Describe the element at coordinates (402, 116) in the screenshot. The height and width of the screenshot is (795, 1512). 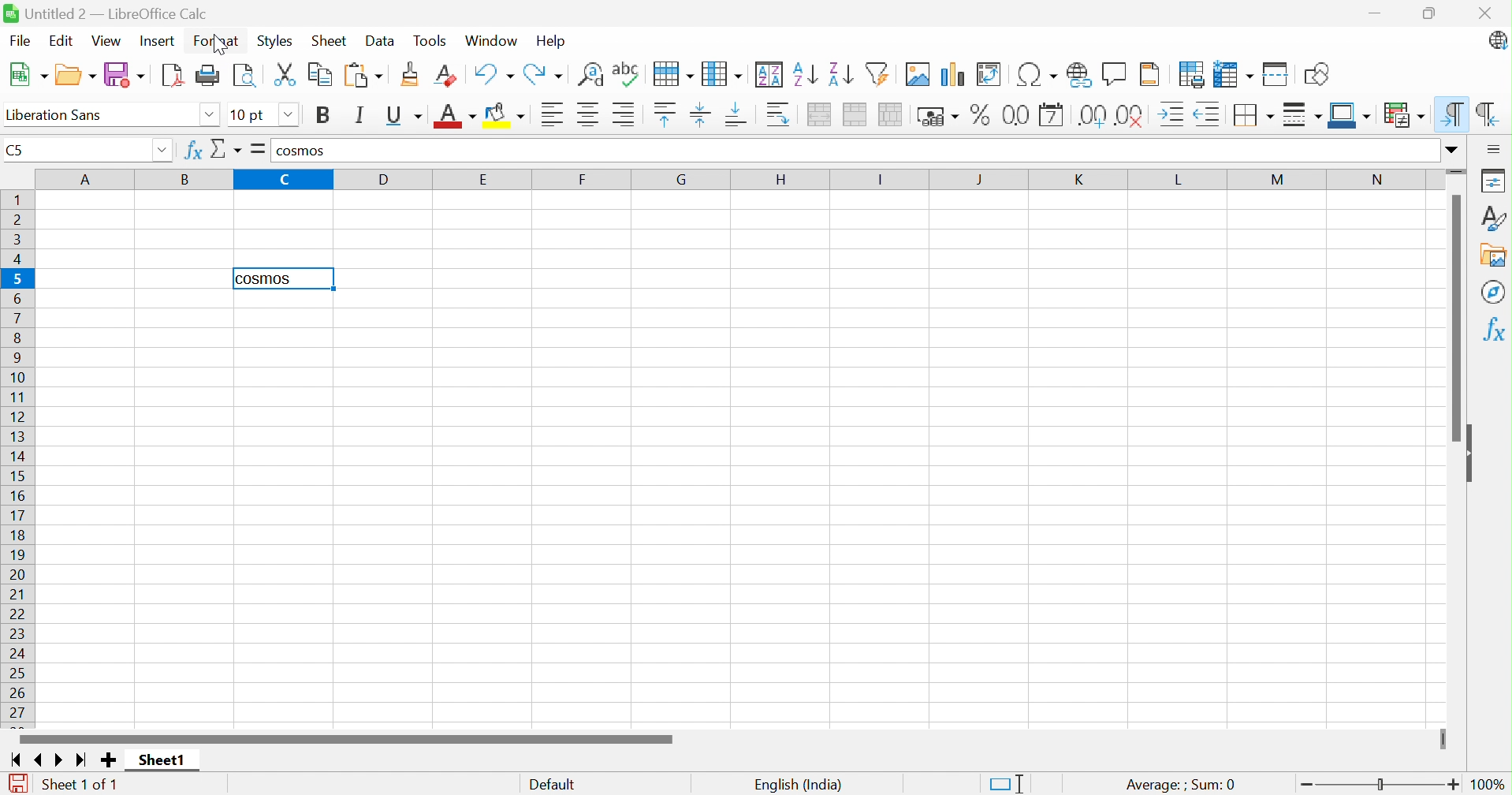
I see `Underline` at that location.